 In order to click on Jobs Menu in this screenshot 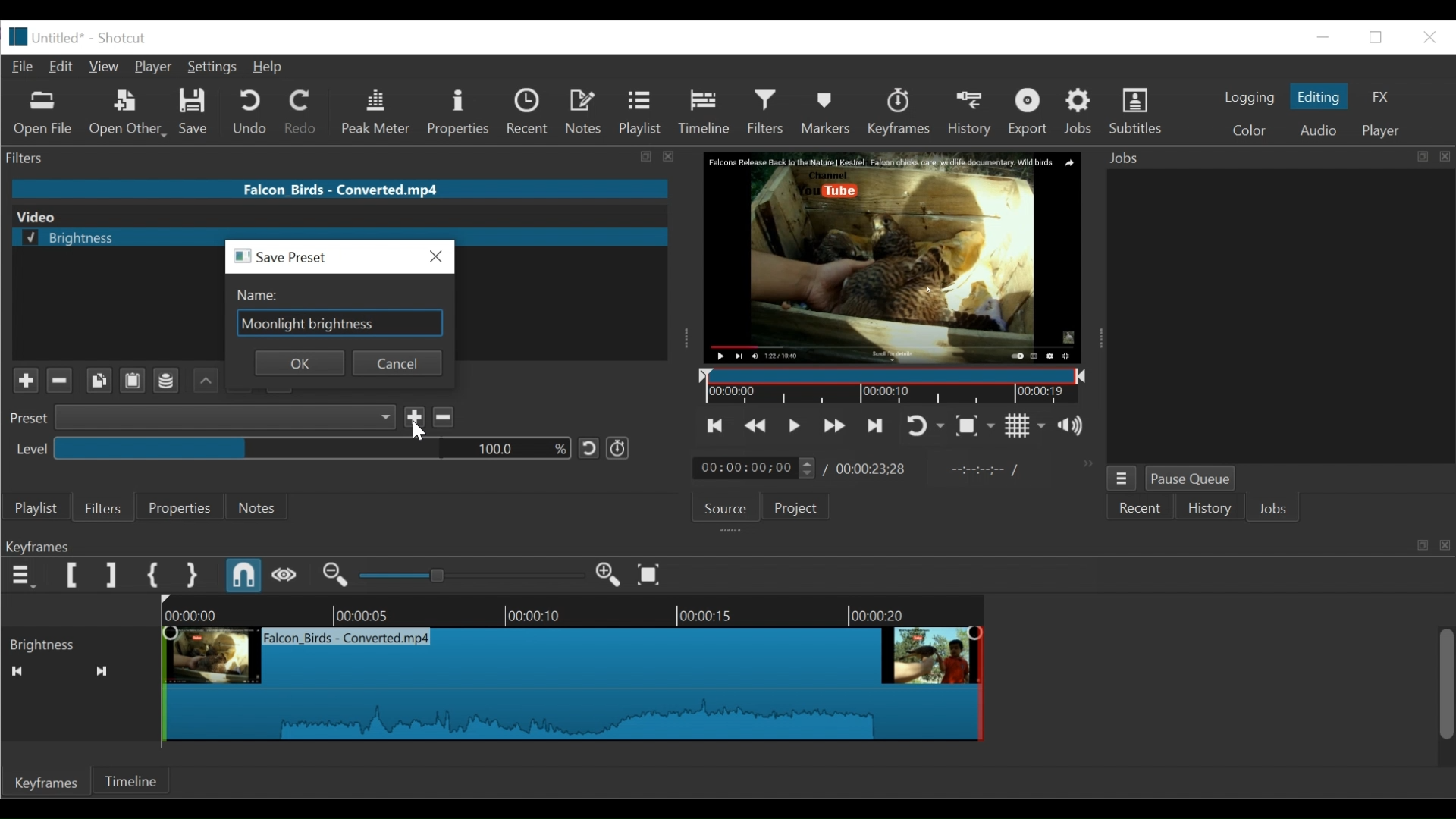, I will do `click(1123, 479)`.